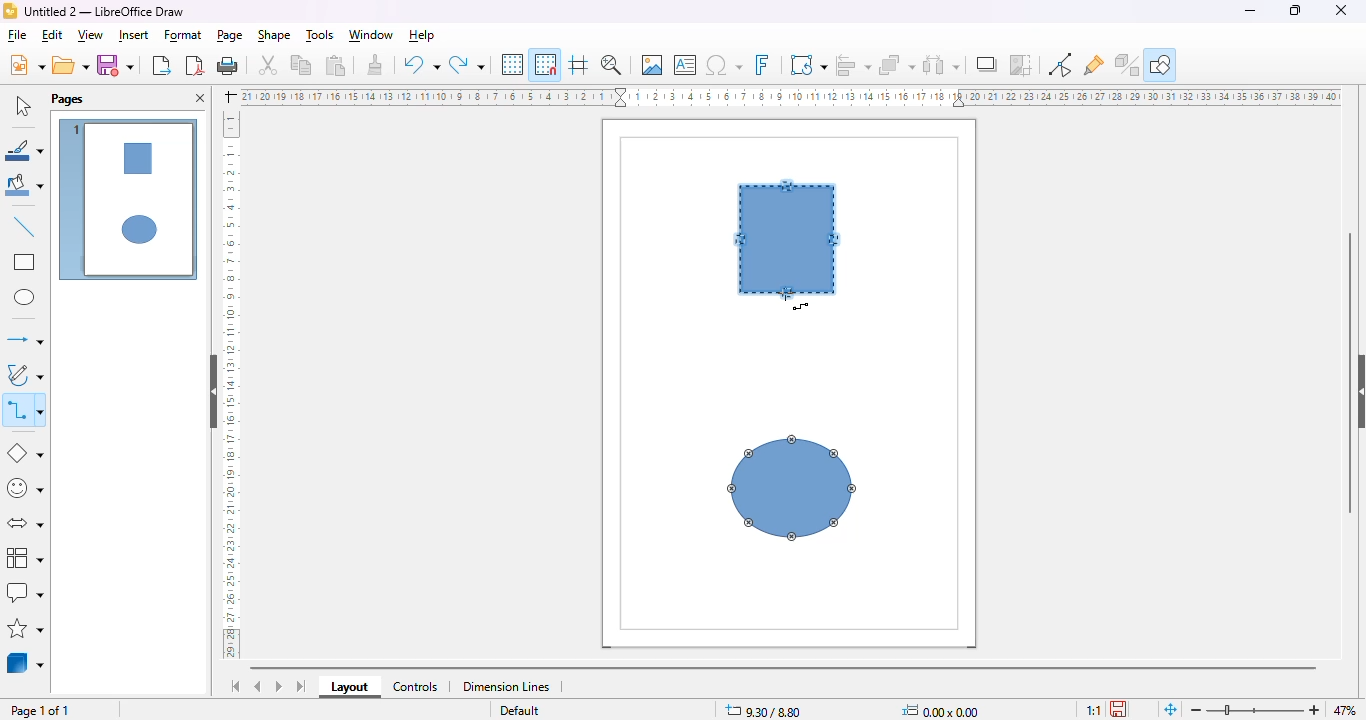 The width and height of the screenshot is (1366, 720). Describe the element at coordinates (53, 36) in the screenshot. I see `edit` at that location.